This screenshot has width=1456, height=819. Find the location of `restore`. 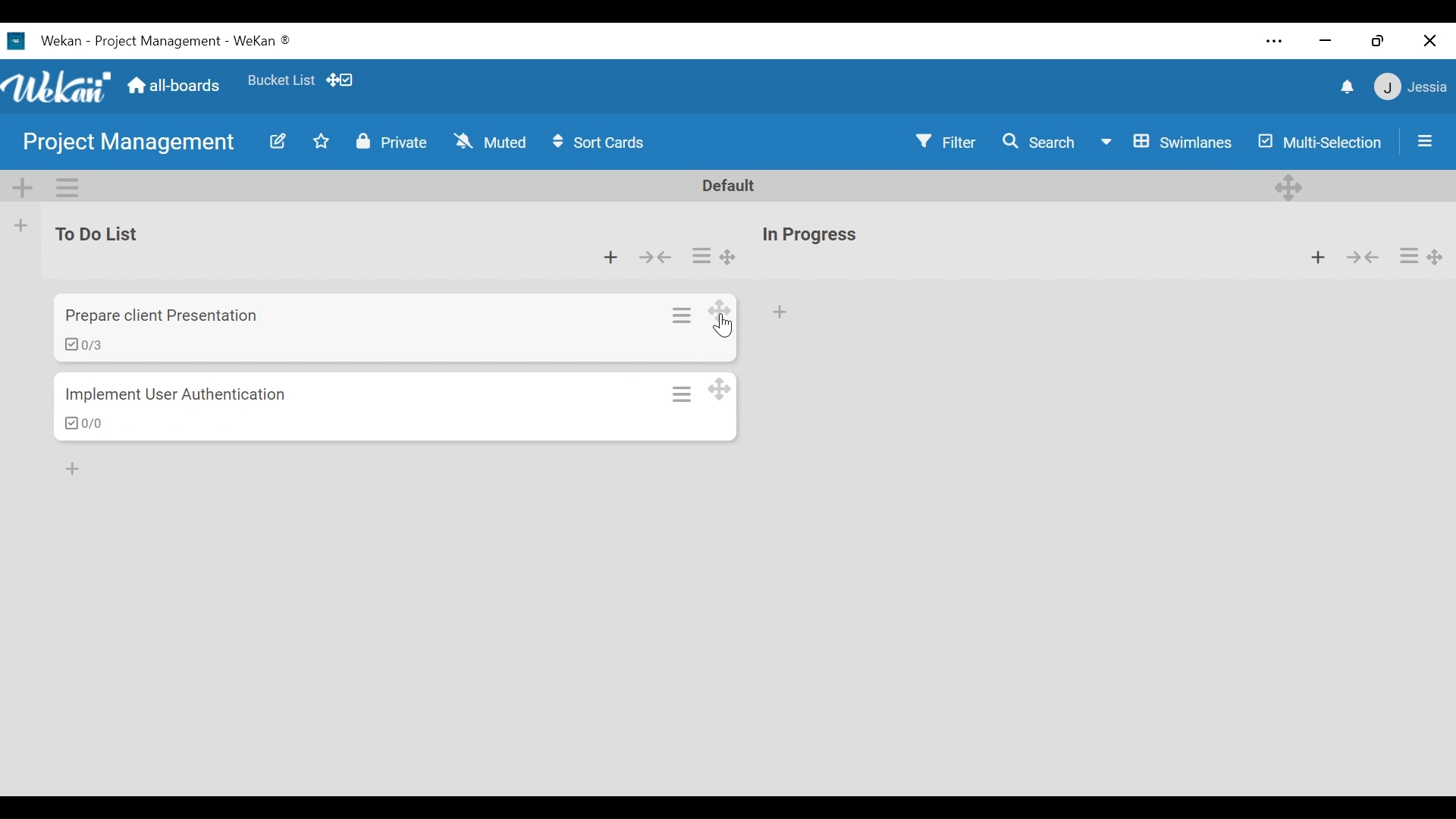

restore is located at coordinates (1378, 42).